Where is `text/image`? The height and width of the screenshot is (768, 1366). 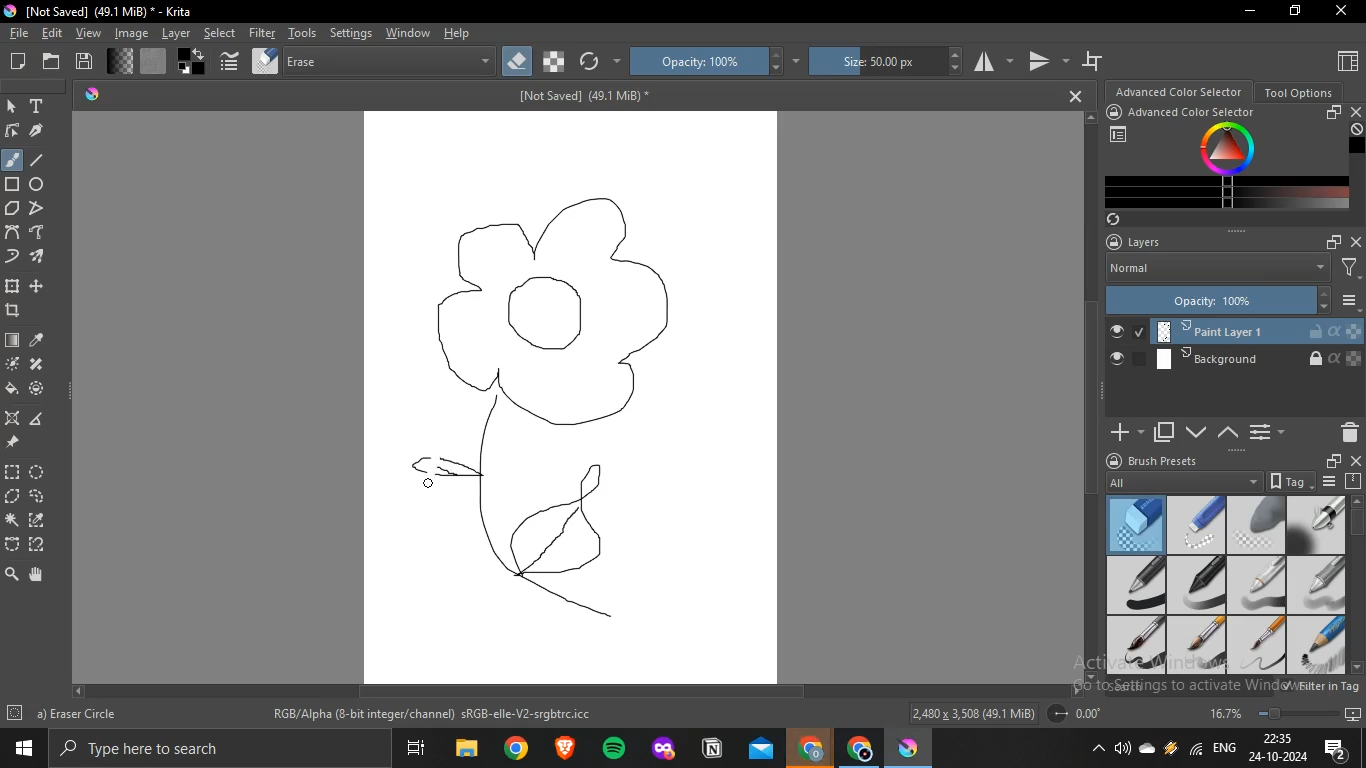
text/image is located at coordinates (572, 398).